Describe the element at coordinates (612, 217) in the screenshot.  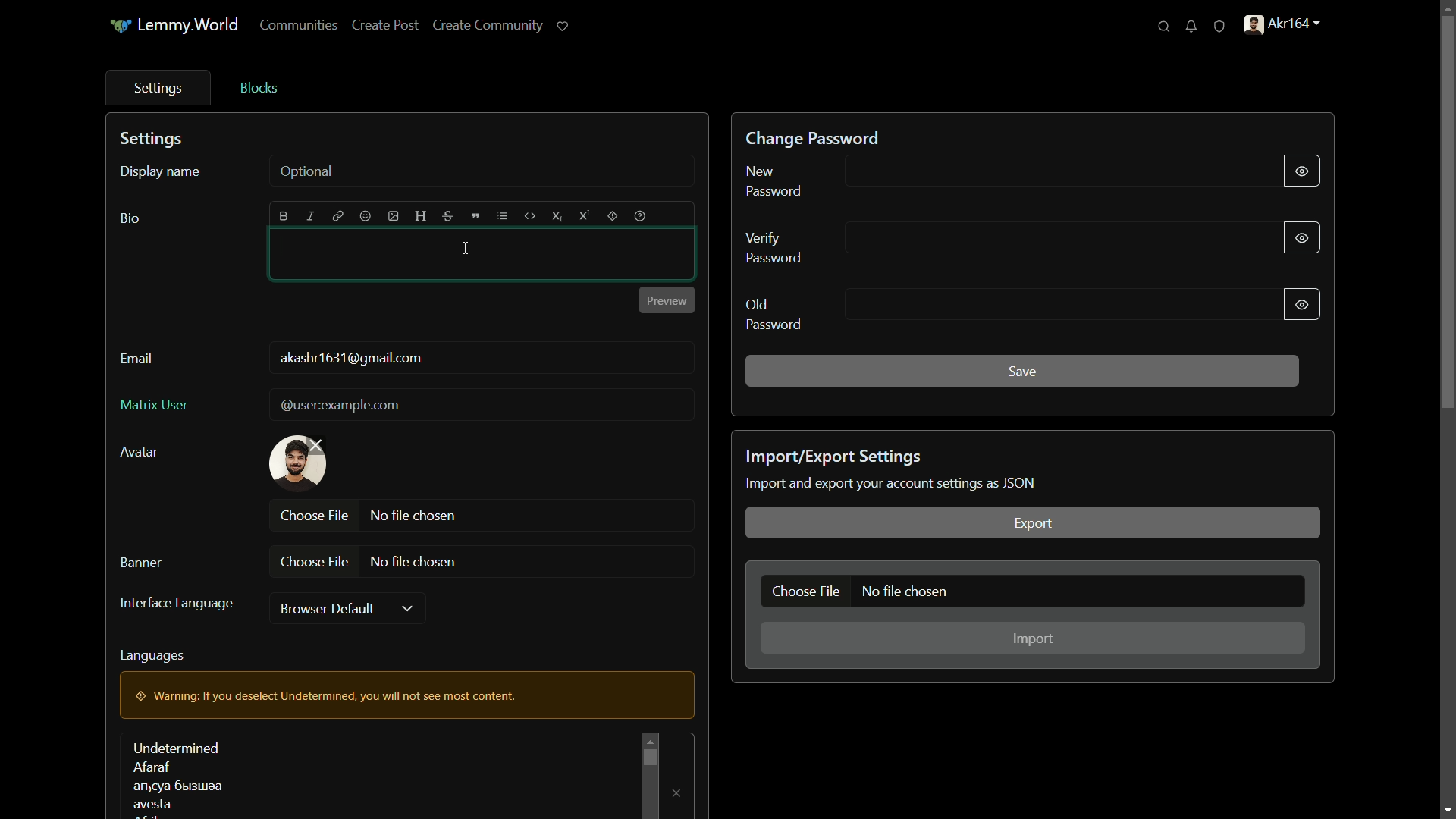
I see `spoiler` at that location.